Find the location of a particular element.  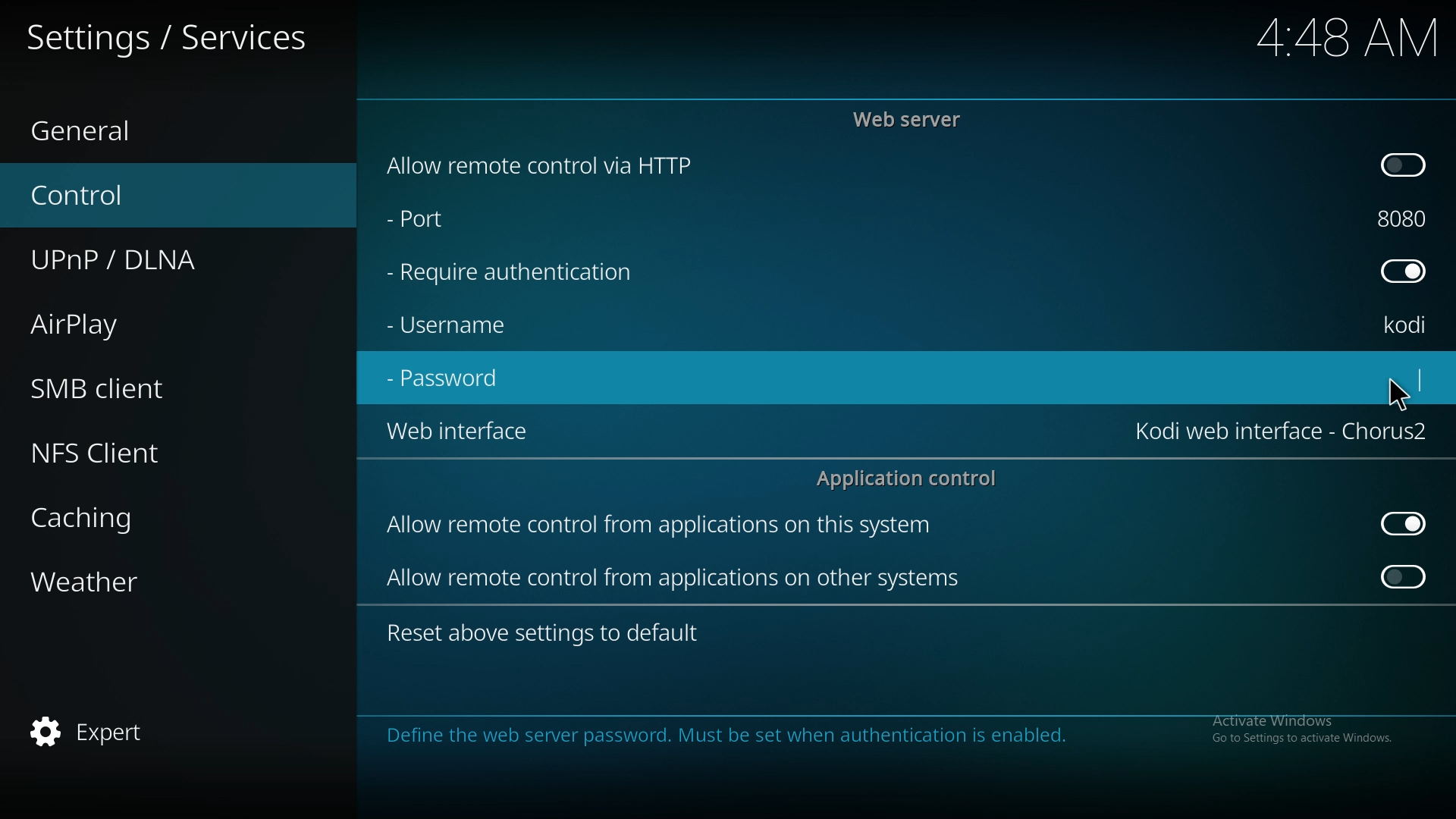

expert is located at coordinates (100, 733).